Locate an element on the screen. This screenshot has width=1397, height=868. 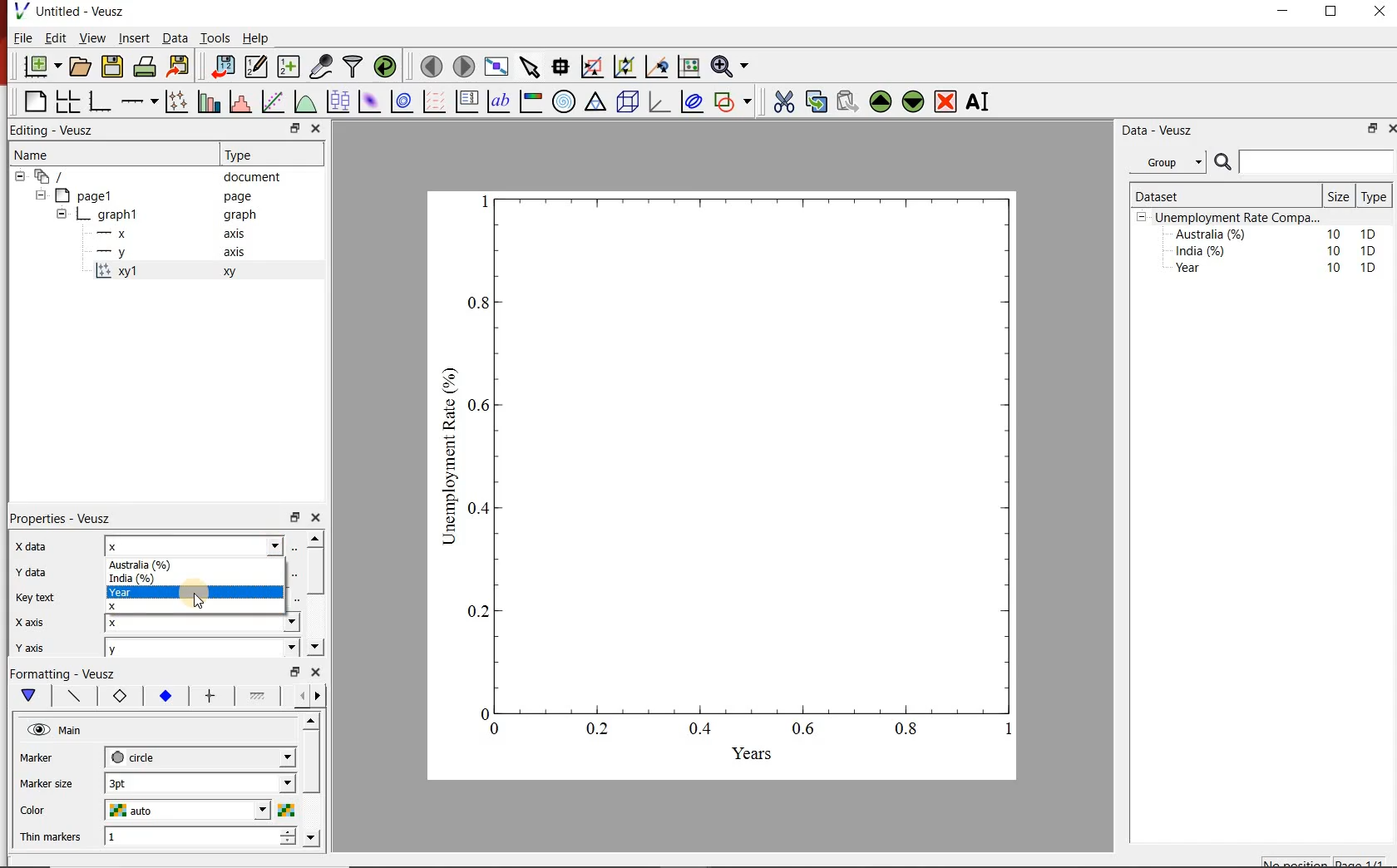
base graphs is located at coordinates (101, 101).